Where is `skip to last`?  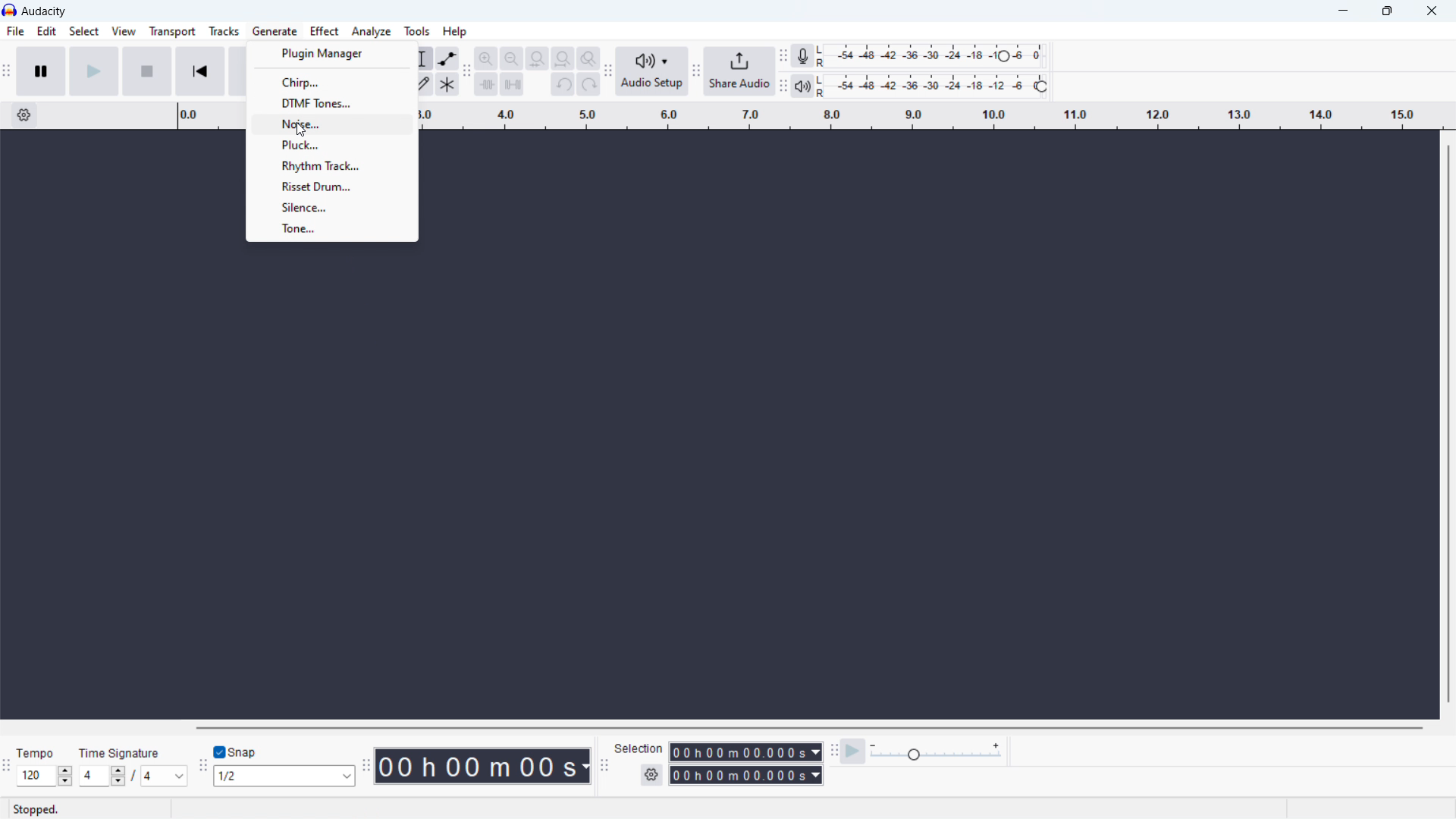
skip to last is located at coordinates (237, 71).